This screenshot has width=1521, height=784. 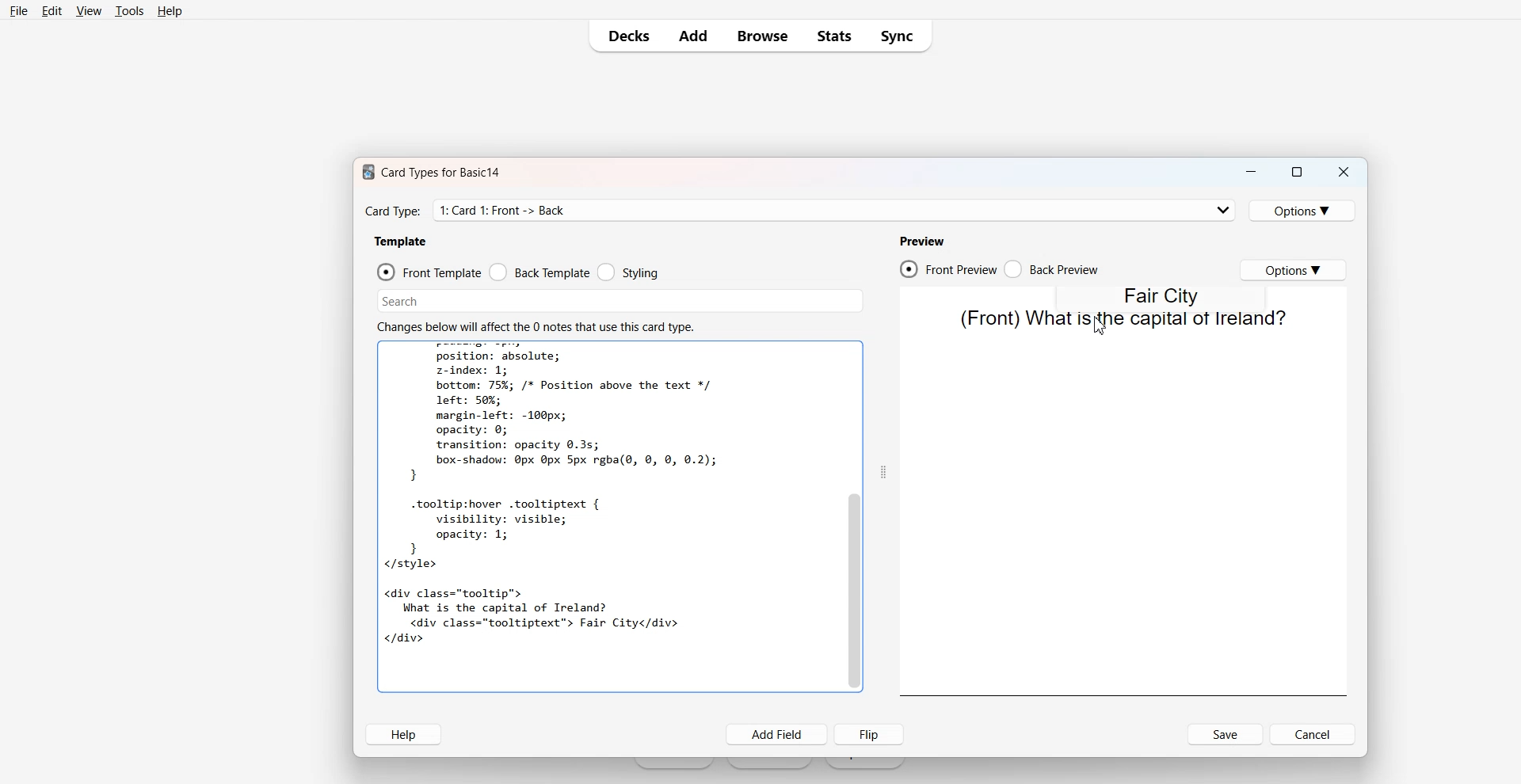 I want to click on Text, so click(x=607, y=517).